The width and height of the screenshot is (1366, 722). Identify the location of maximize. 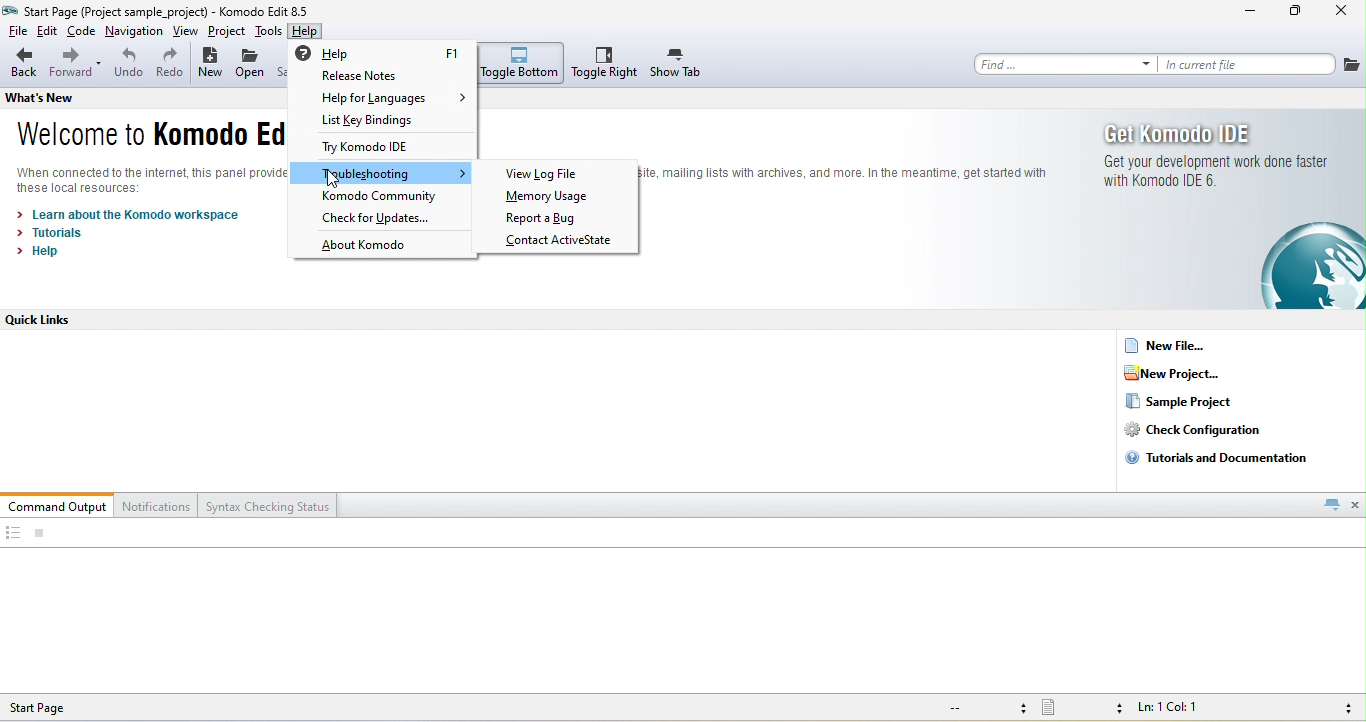
(1296, 13).